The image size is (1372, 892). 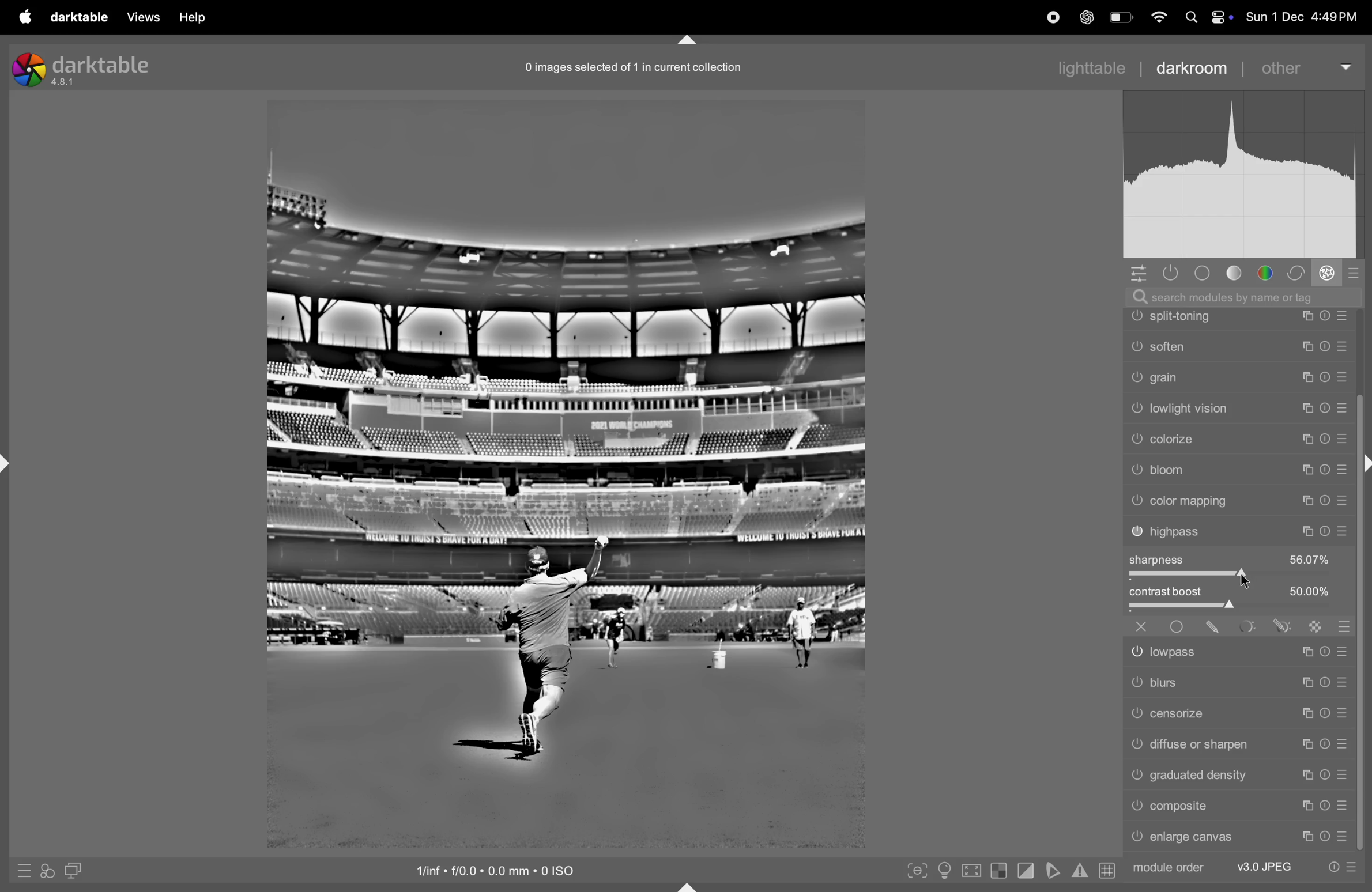 I want to click on image, so click(x=565, y=472).